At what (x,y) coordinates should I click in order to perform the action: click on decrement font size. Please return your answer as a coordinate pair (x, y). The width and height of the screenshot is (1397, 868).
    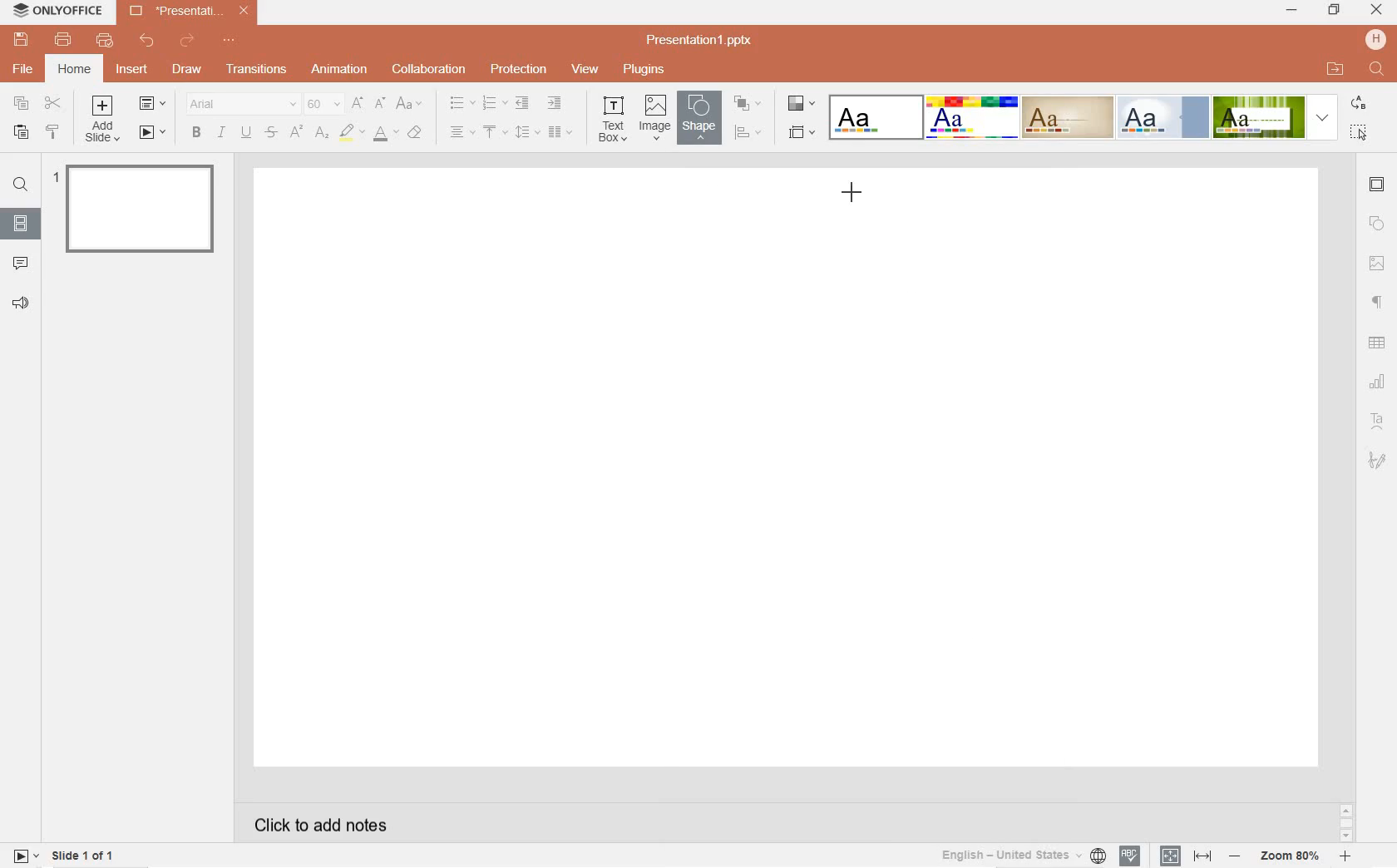
    Looking at the image, I should click on (381, 102).